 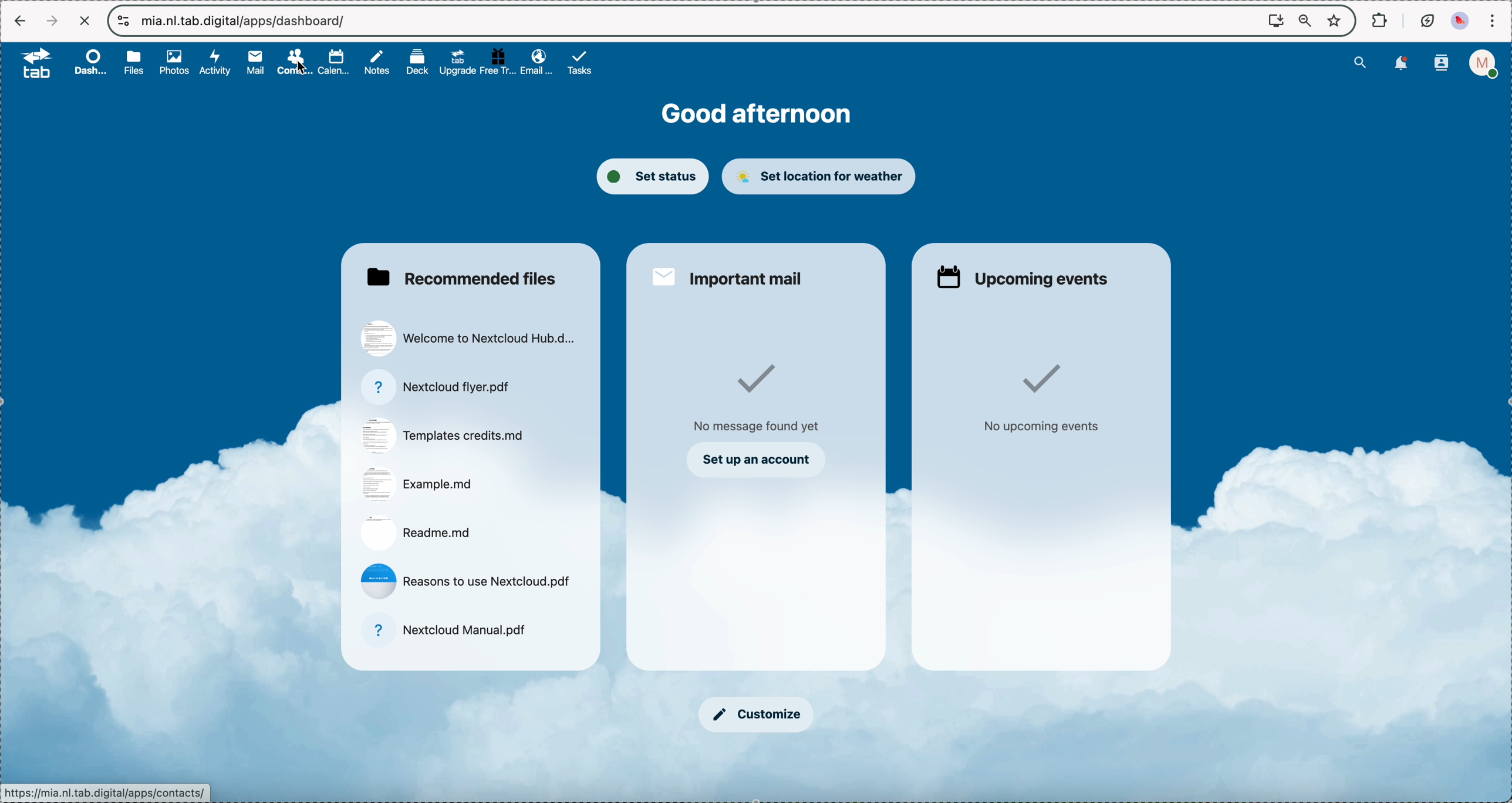 What do you see at coordinates (1378, 20) in the screenshot?
I see `extensions` at bounding box center [1378, 20].